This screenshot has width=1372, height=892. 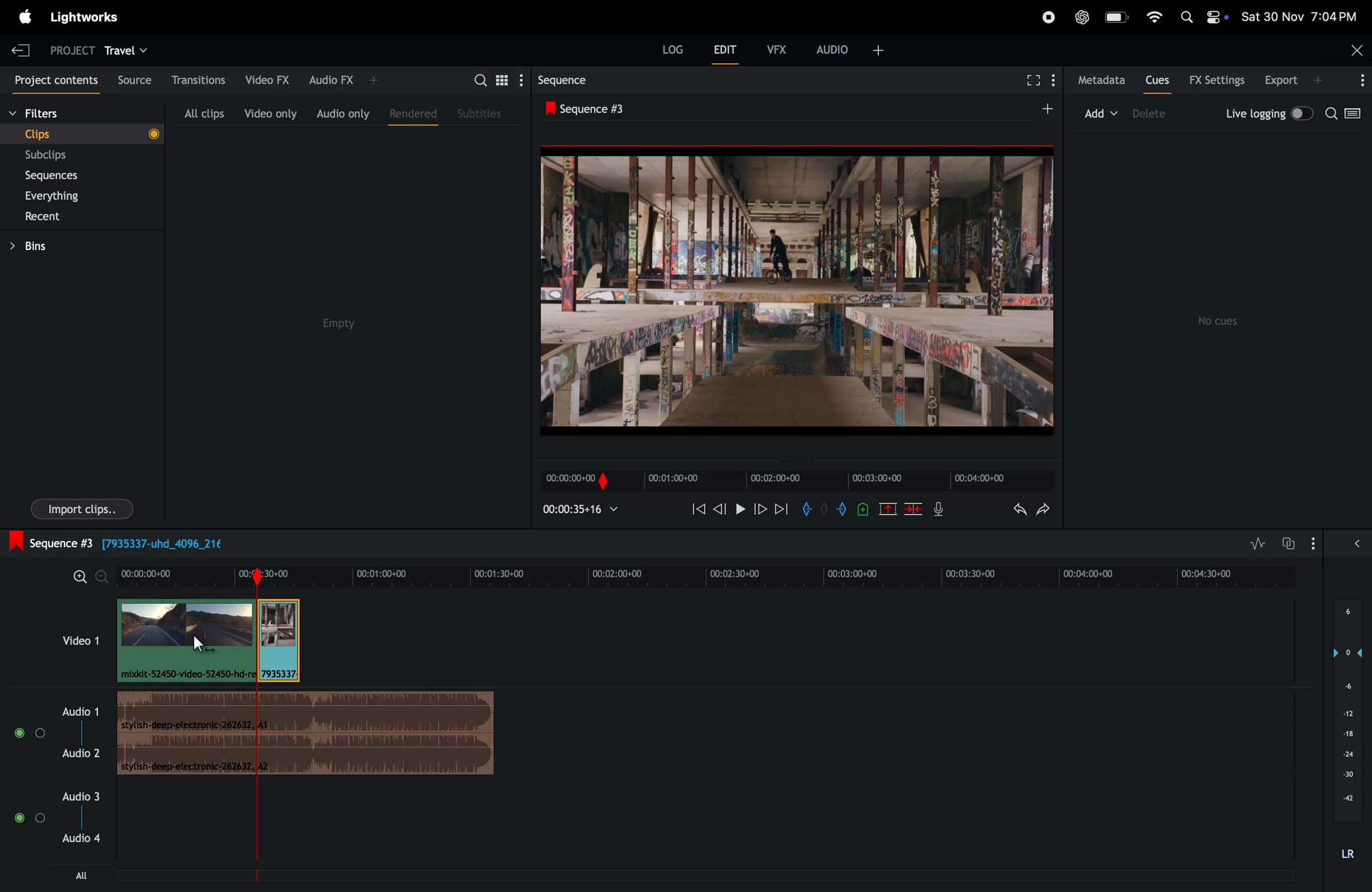 I want to click on delete, so click(x=914, y=509).